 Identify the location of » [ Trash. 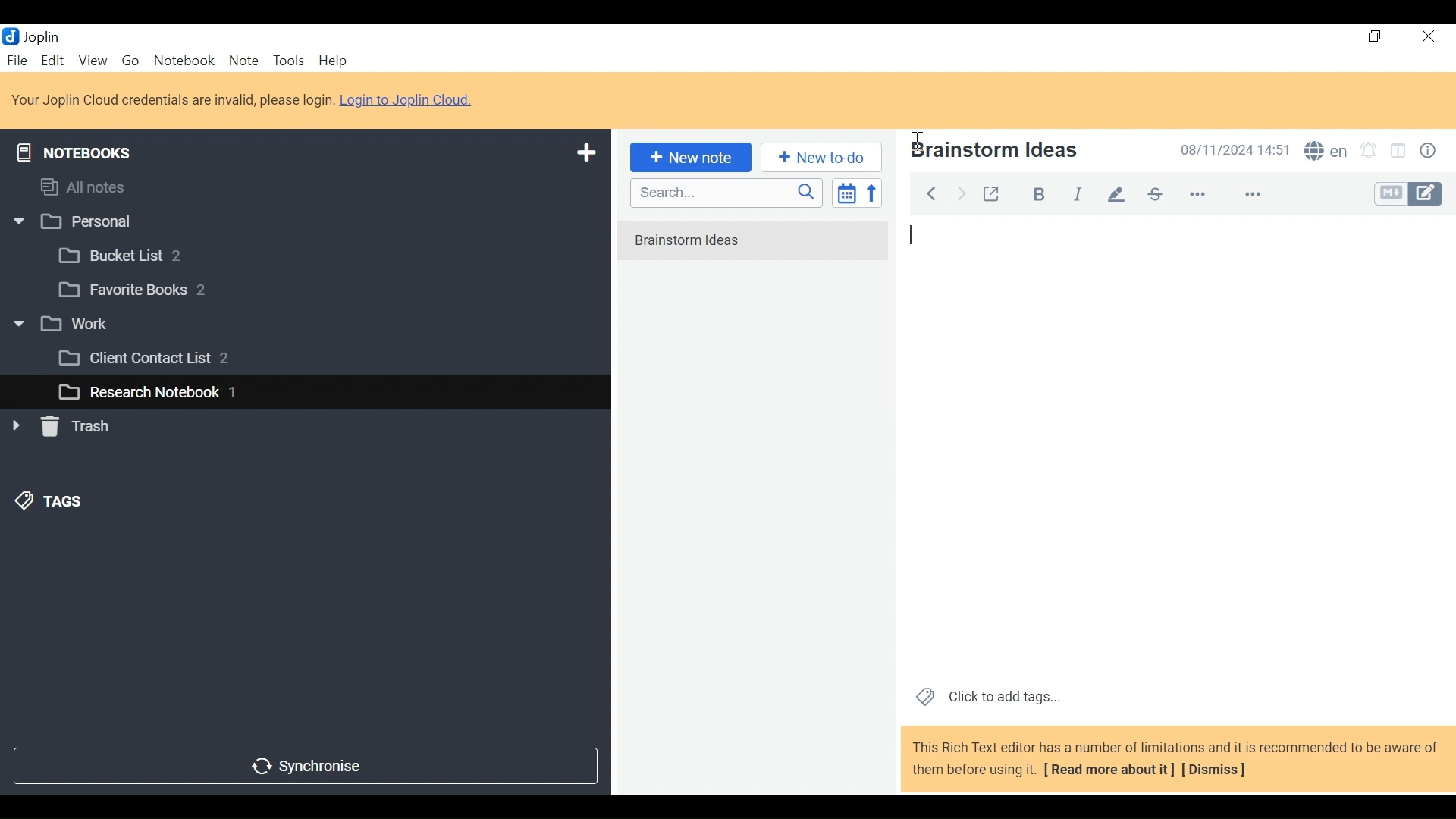
(80, 426).